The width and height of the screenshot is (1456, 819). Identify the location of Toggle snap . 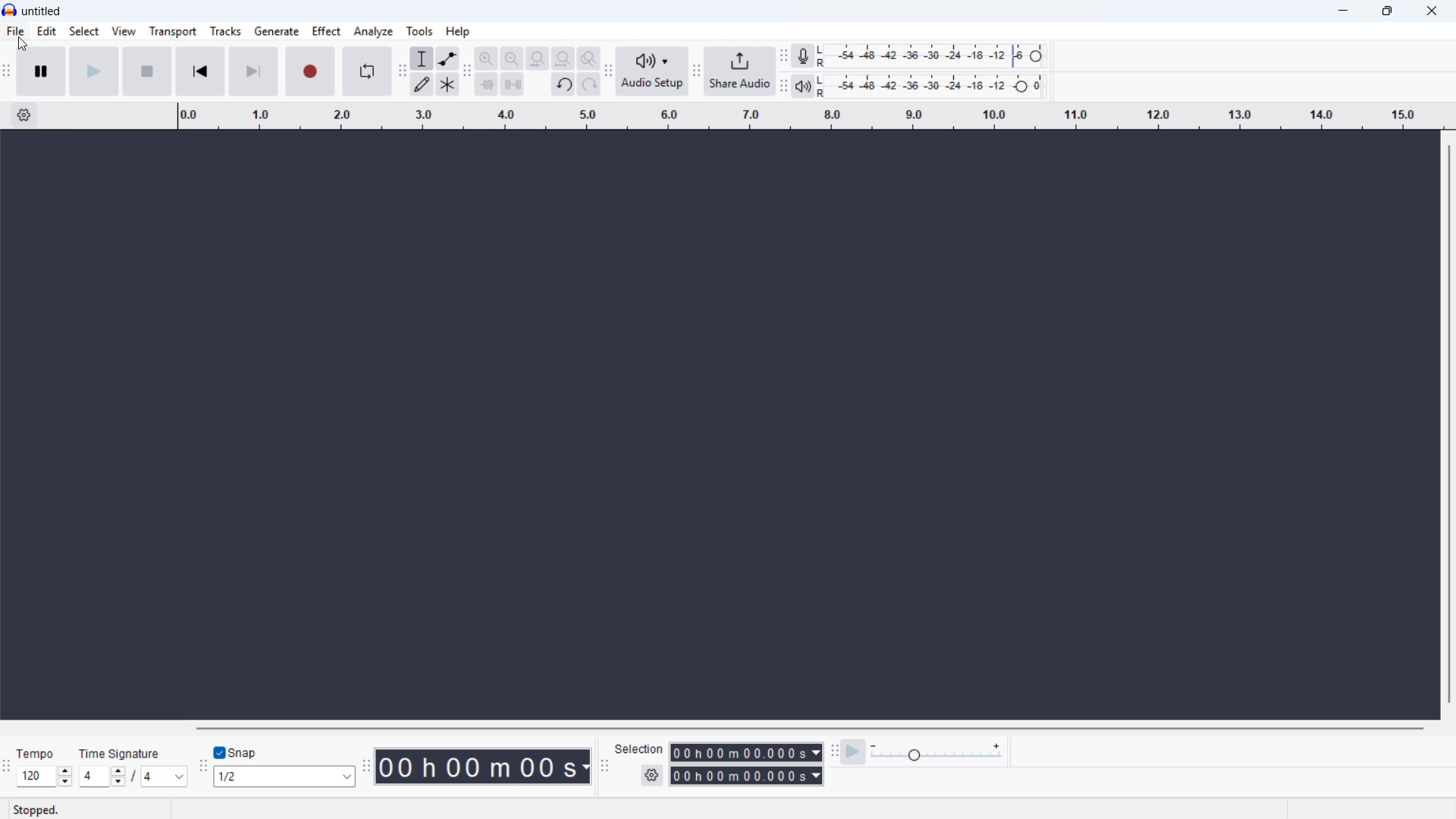
(236, 752).